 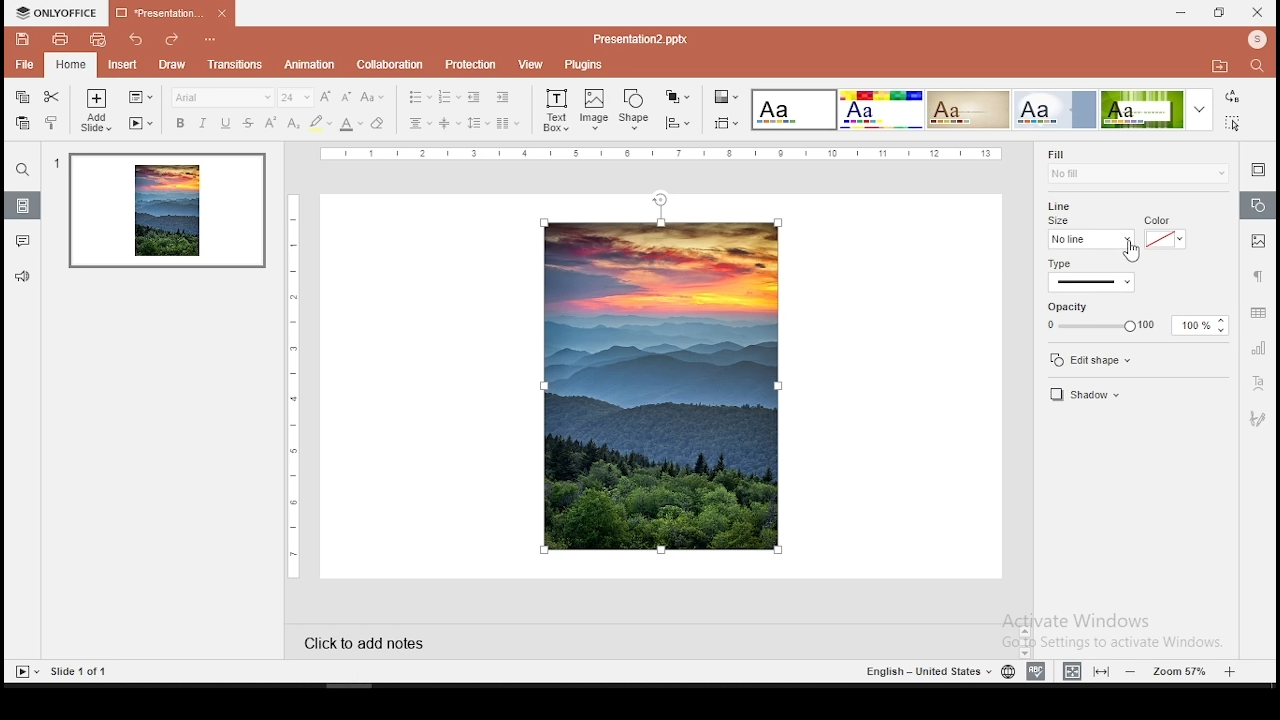 I want to click on copy, so click(x=20, y=98).